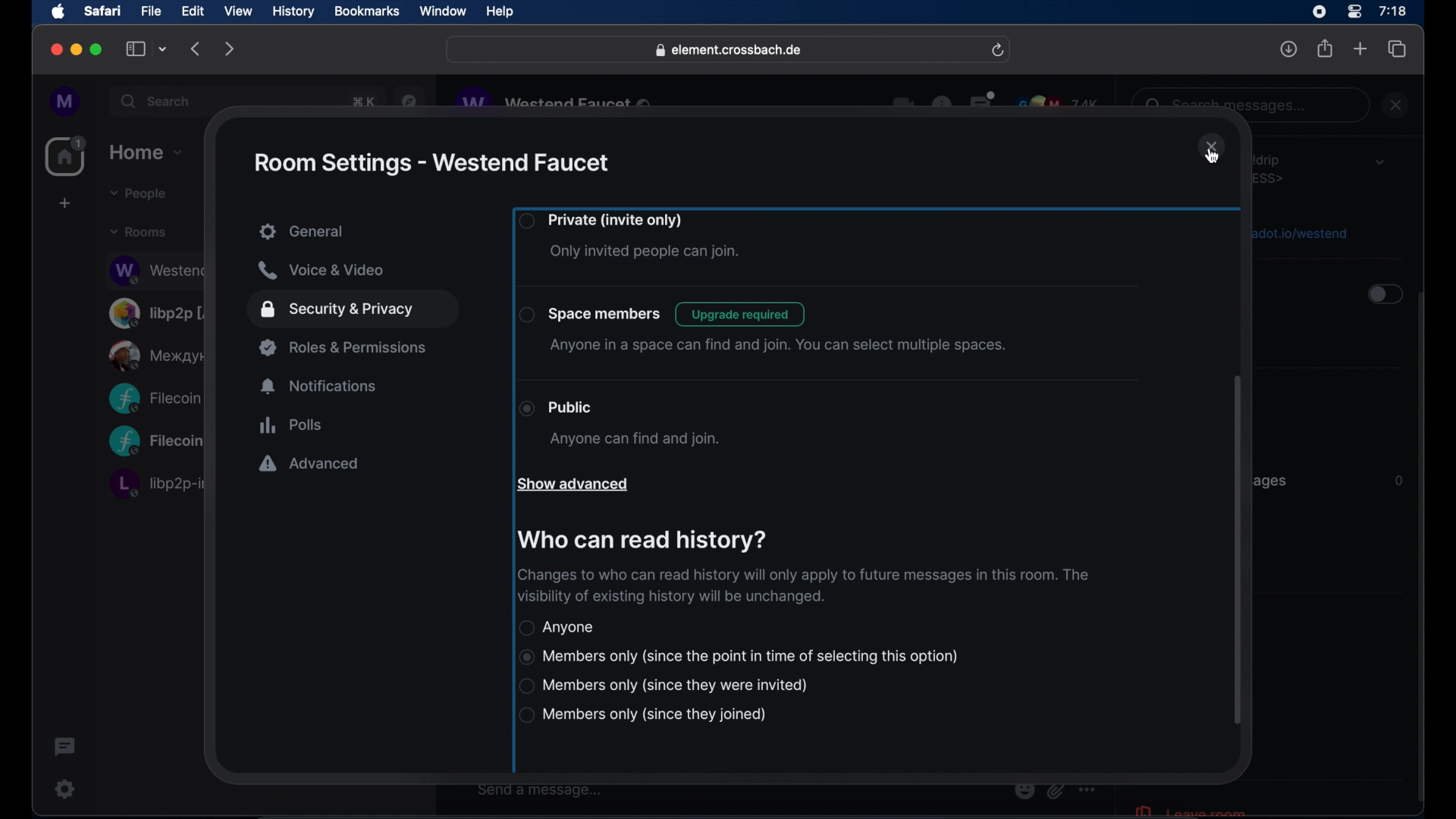  I want to click on screen recorder icon, so click(1319, 12).